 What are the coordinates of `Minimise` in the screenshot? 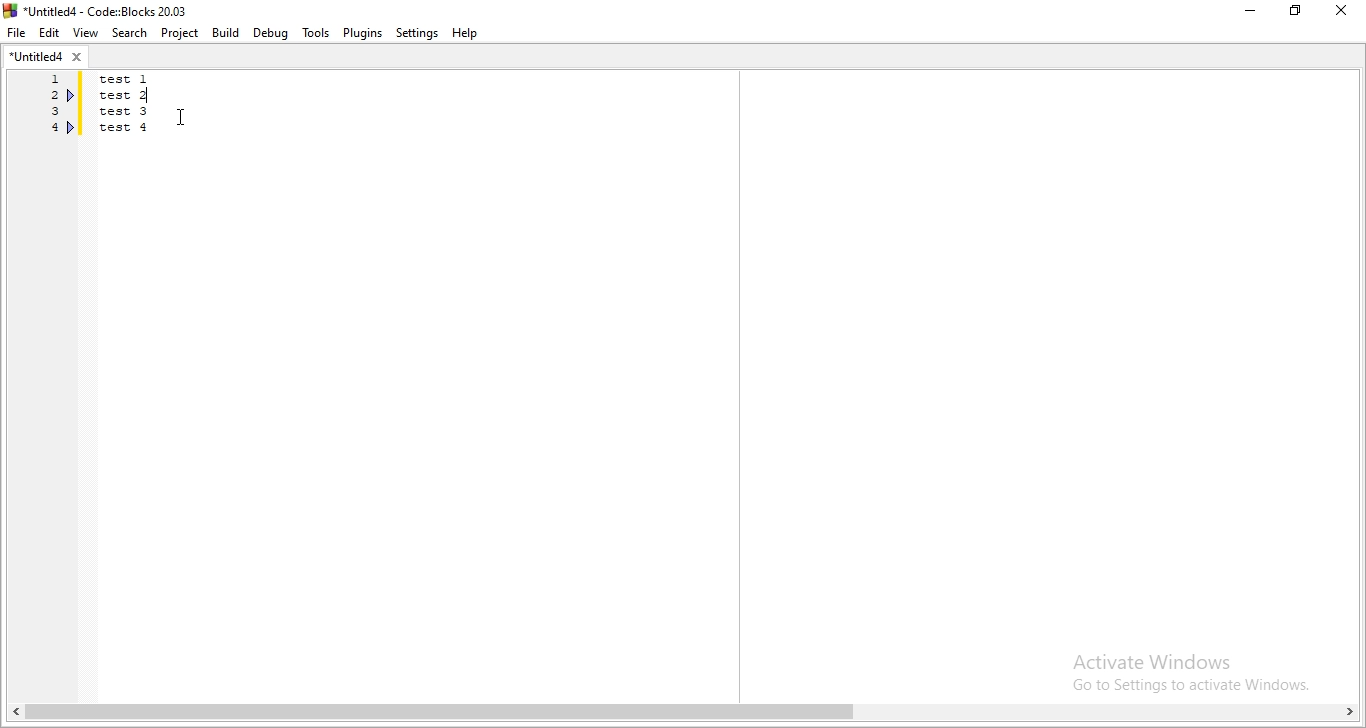 It's located at (1249, 12).